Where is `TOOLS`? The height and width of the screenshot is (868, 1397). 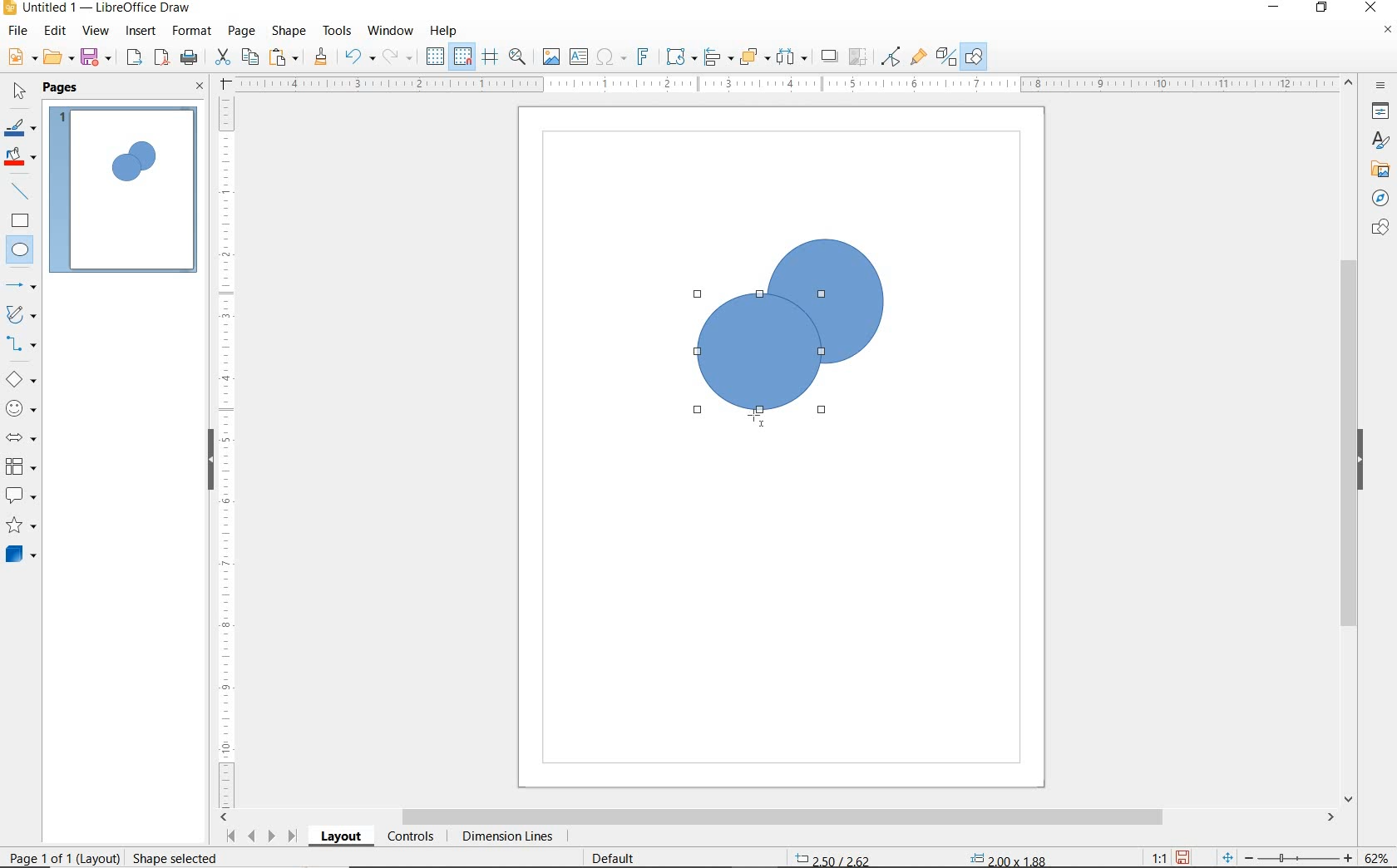 TOOLS is located at coordinates (337, 30).